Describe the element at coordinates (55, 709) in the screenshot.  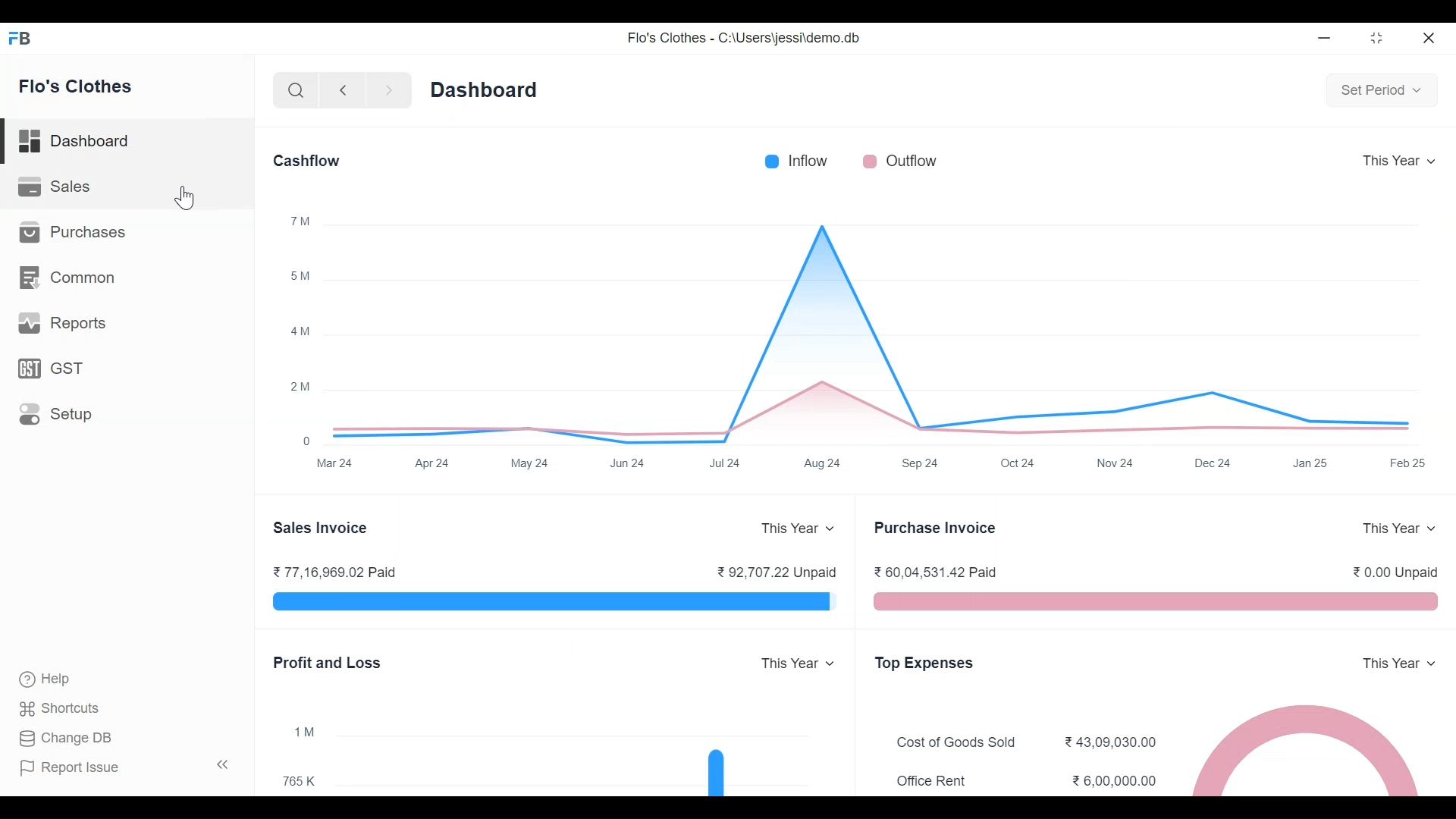
I see `Shortcuts` at that location.